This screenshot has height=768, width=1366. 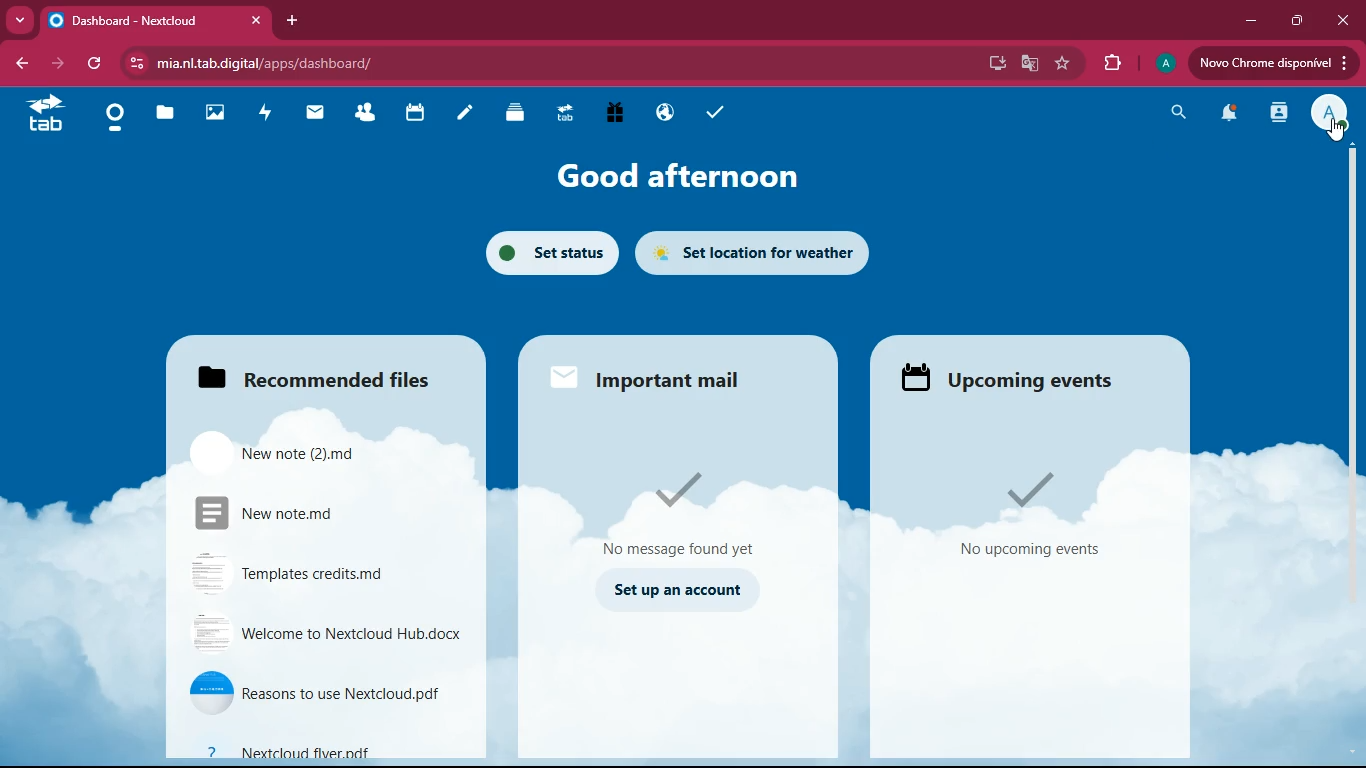 What do you see at coordinates (271, 117) in the screenshot?
I see `activity` at bounding box center [271, 117].